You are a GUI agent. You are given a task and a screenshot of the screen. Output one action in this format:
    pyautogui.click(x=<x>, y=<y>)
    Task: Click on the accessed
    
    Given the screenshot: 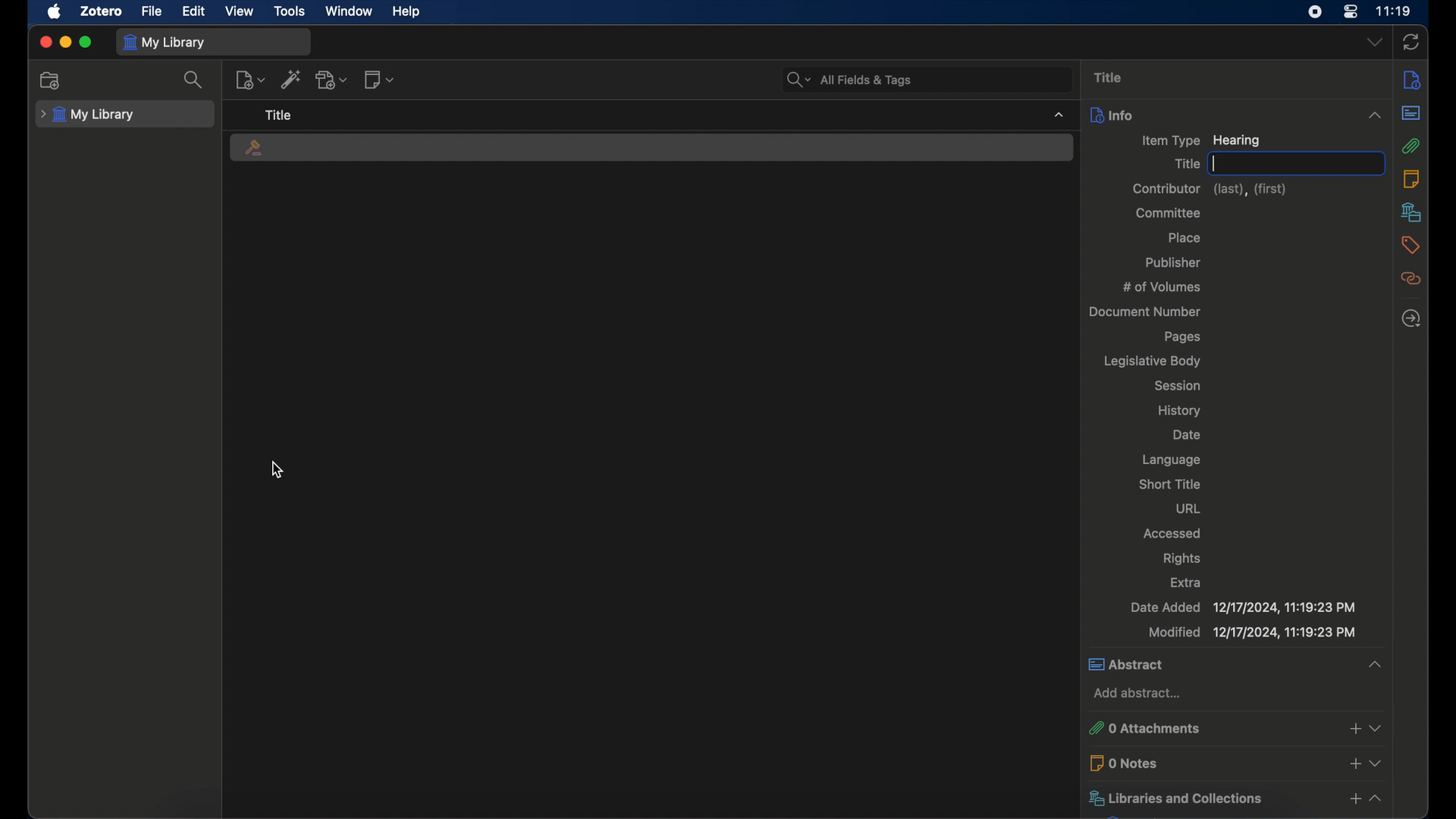 What is the action you would take?
    pyautogui.click(x=1174, y=532)
    